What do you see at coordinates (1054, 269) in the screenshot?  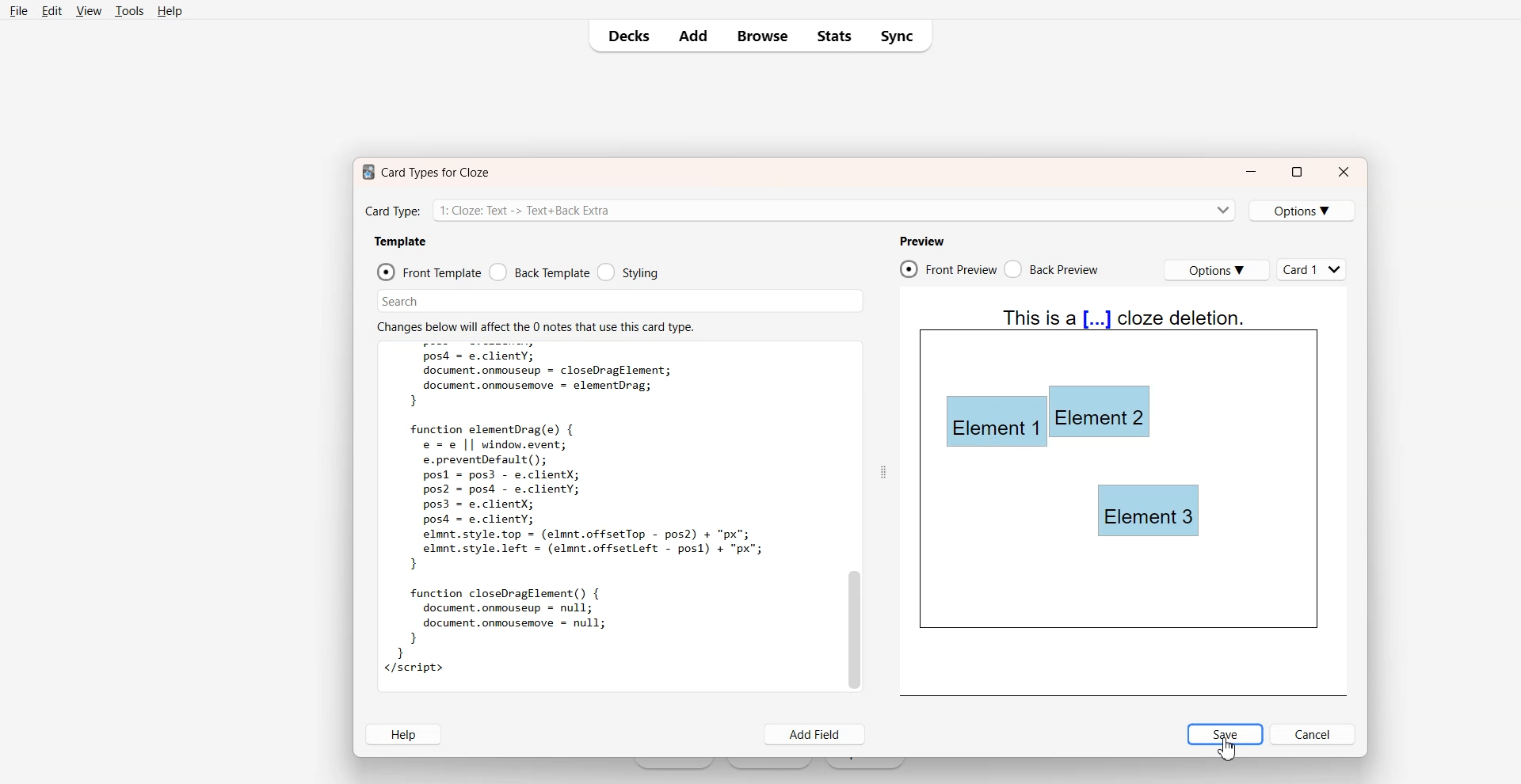 I see `Back Preview` at bounding box center [1054, 269].